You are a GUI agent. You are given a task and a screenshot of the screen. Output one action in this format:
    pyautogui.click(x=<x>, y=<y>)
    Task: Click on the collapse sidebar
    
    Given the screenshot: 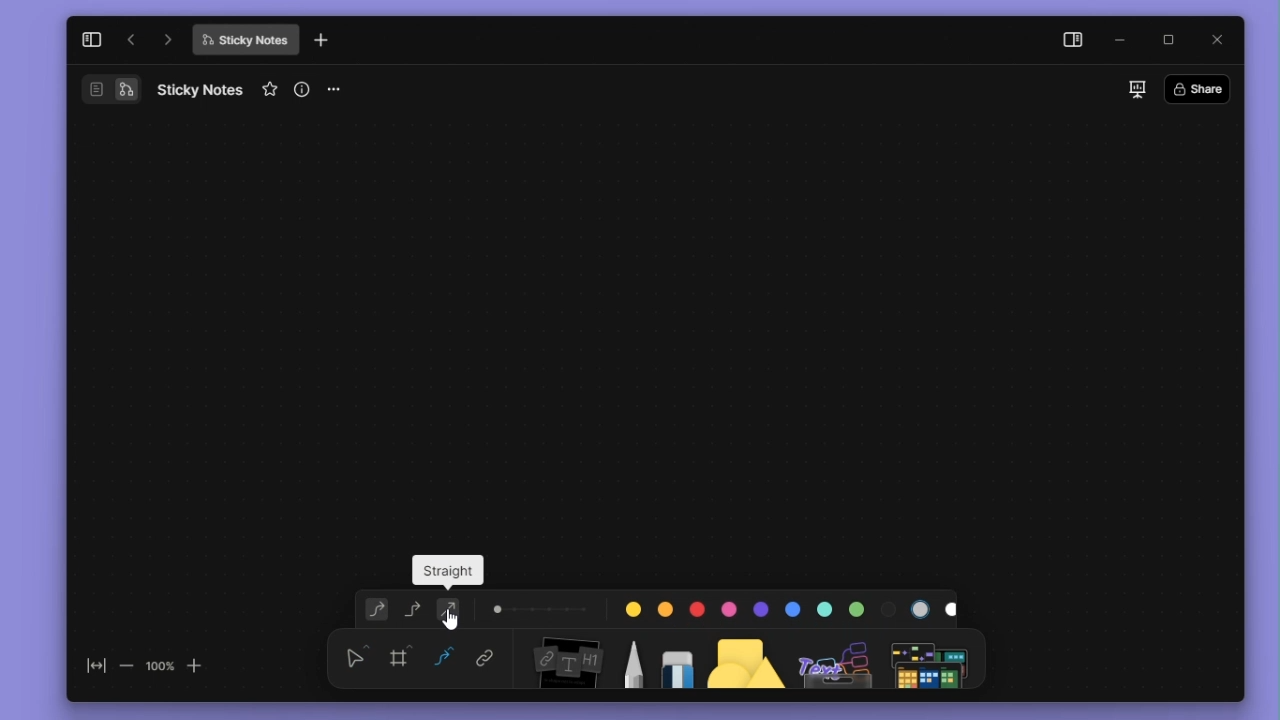 What is the action you would take?
    pyautogui.click(x=91, y=39)
    